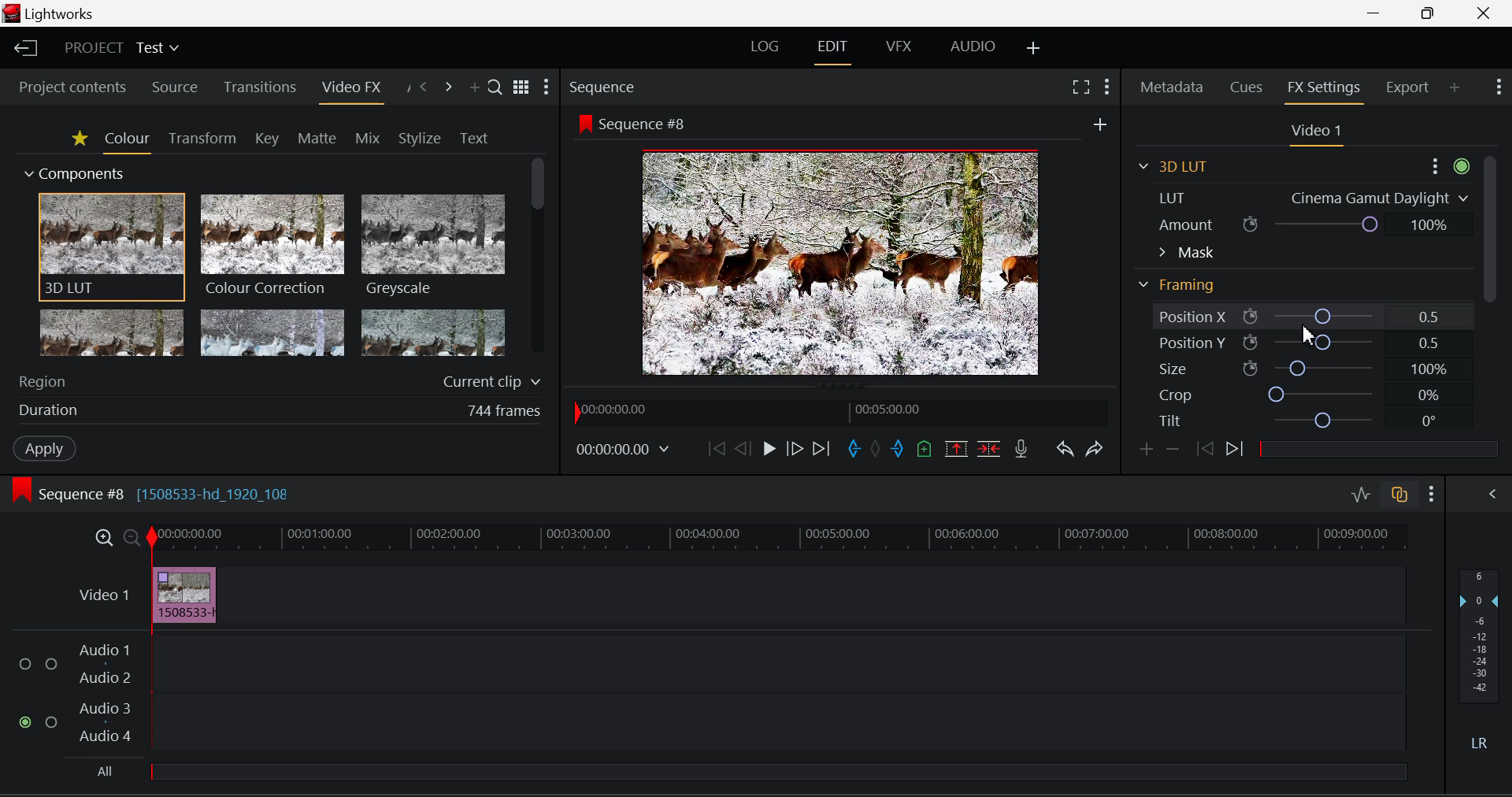  I want to click on Cursor Position AFTER_LAST_ACTION, so click(1309, 339).